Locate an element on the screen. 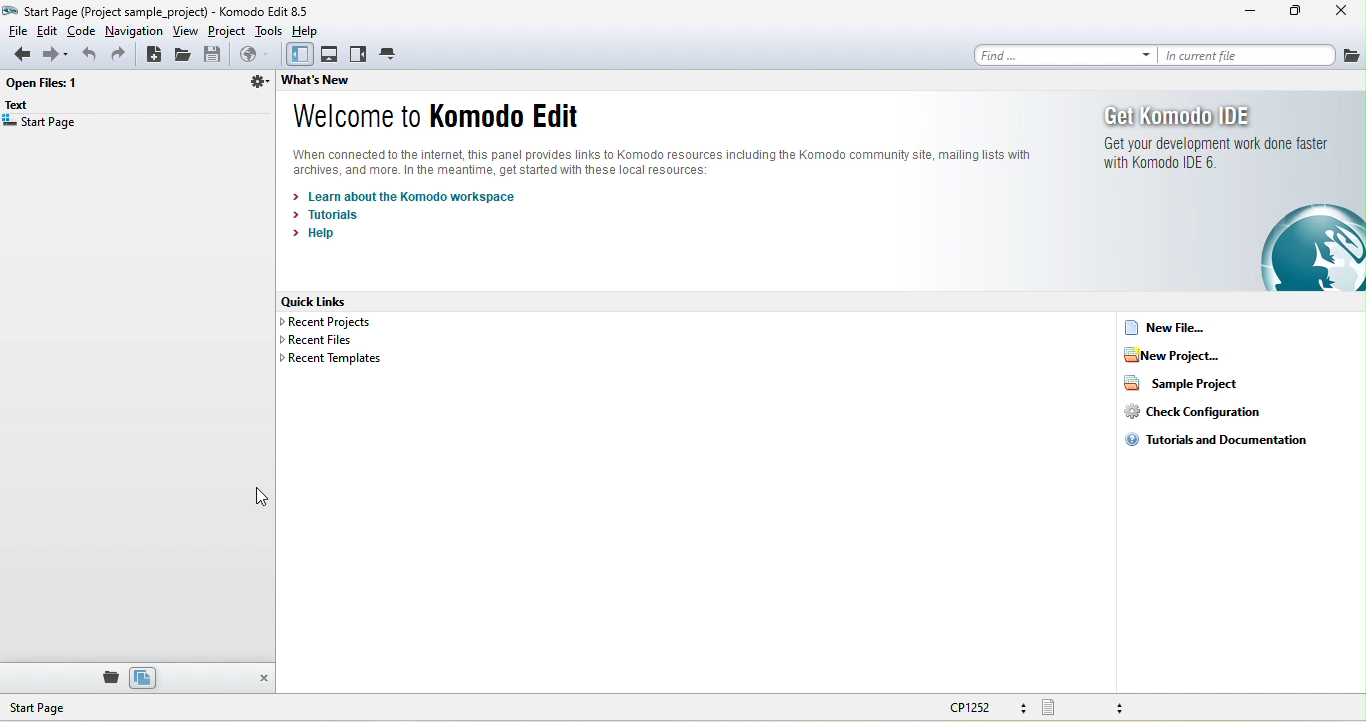 The image size is (1366, 722). new file is located at coordinates (1191, 327).